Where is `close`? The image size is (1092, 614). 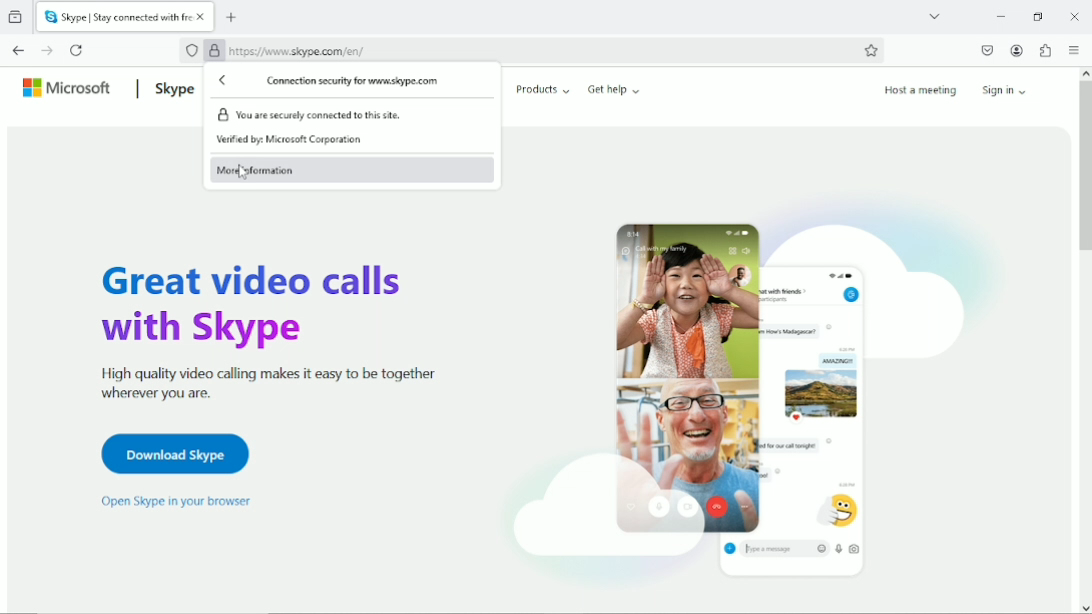
close is located at coordinates (1075, 16).